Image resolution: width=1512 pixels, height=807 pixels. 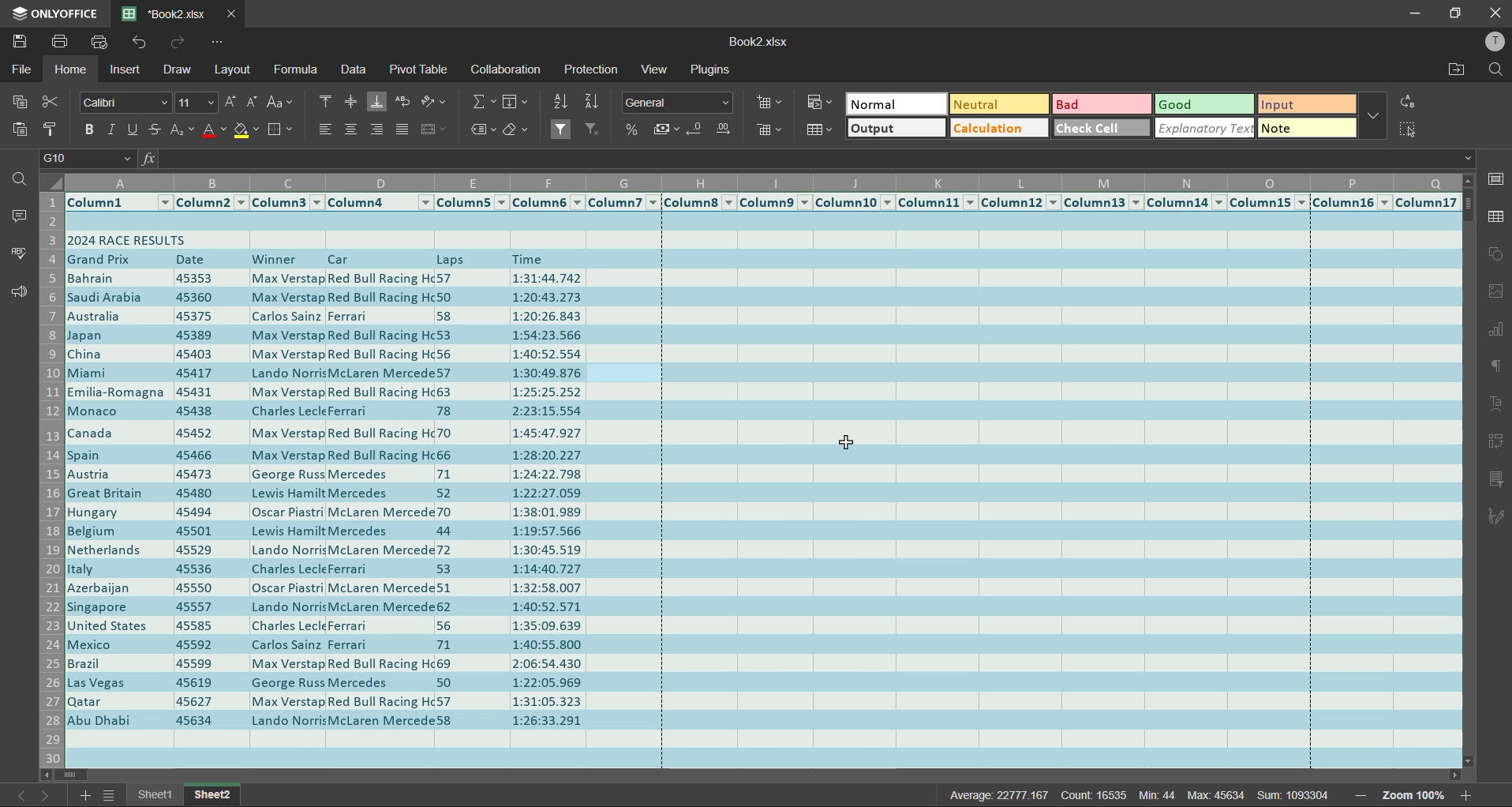 I want to click on Column , so click(x=938, y=203).